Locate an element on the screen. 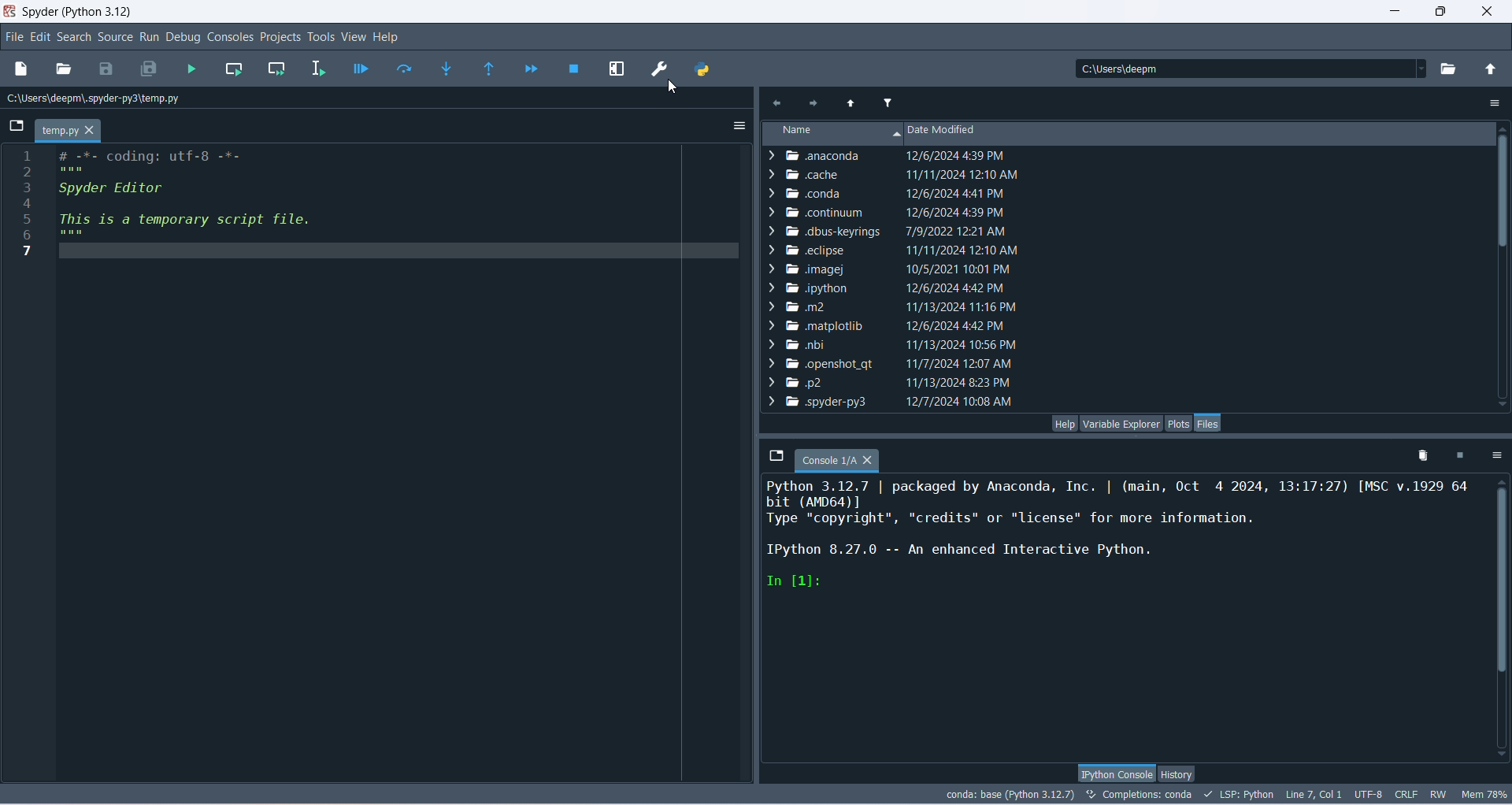 The image size is (1512, 805). remove is located at coordinates (1418, 457).